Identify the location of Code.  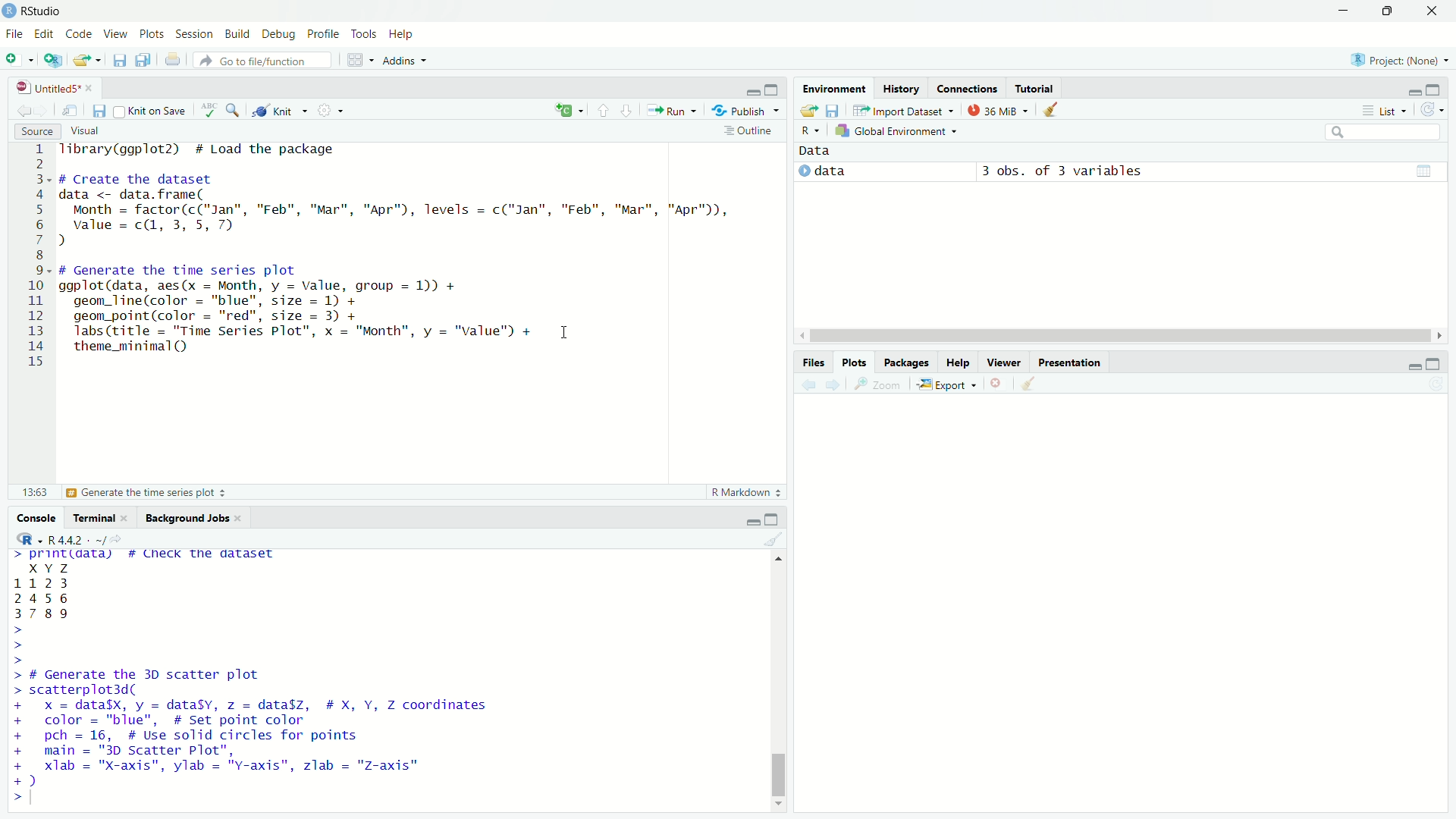
(77, 35).